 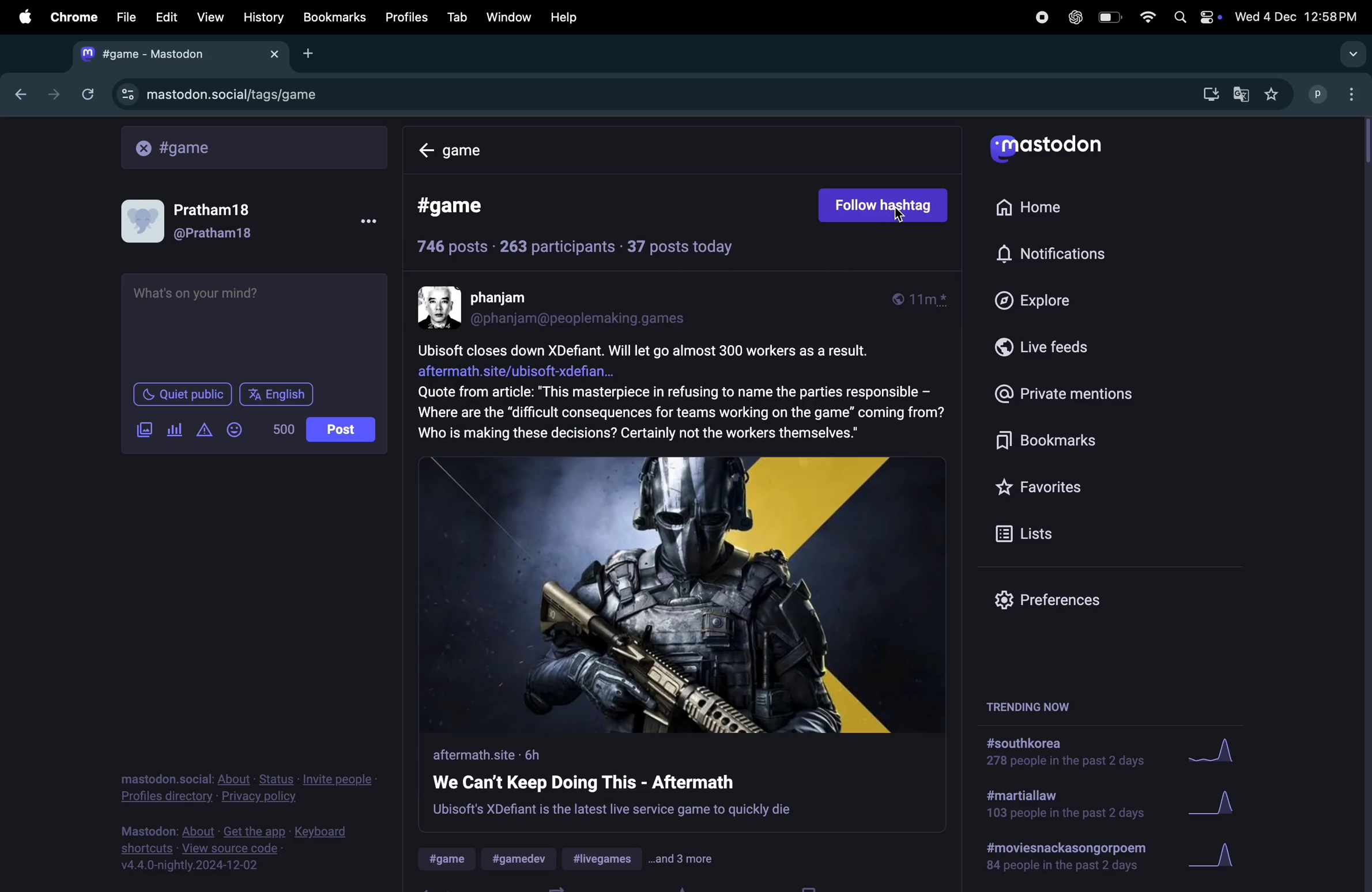 What do you see at coordinates (681, 394) in the screenshot?
I see `post decription` at bounding box center [681, 394].